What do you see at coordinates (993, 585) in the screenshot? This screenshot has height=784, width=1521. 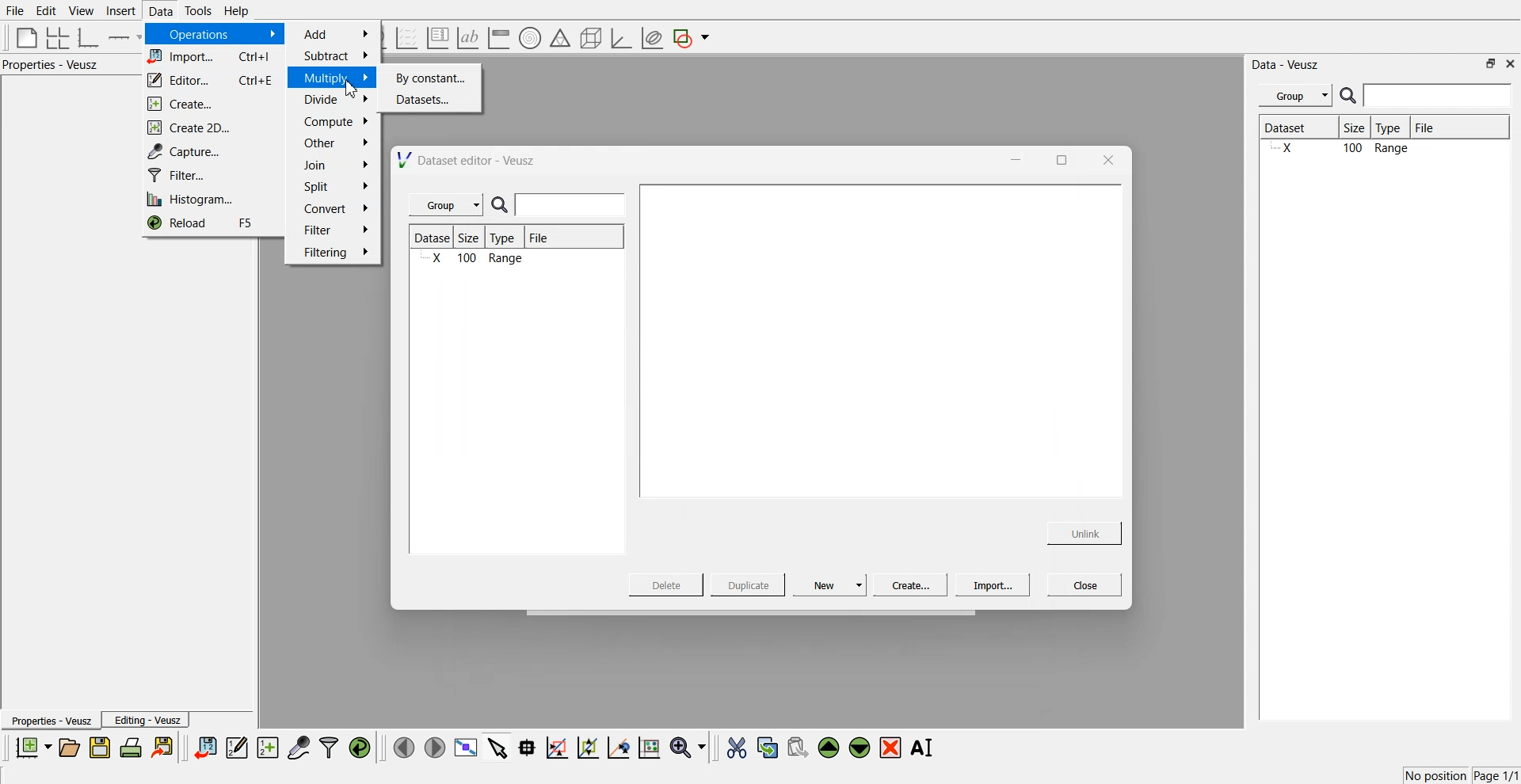 I see `Import...` at bounding box center [993, 585].